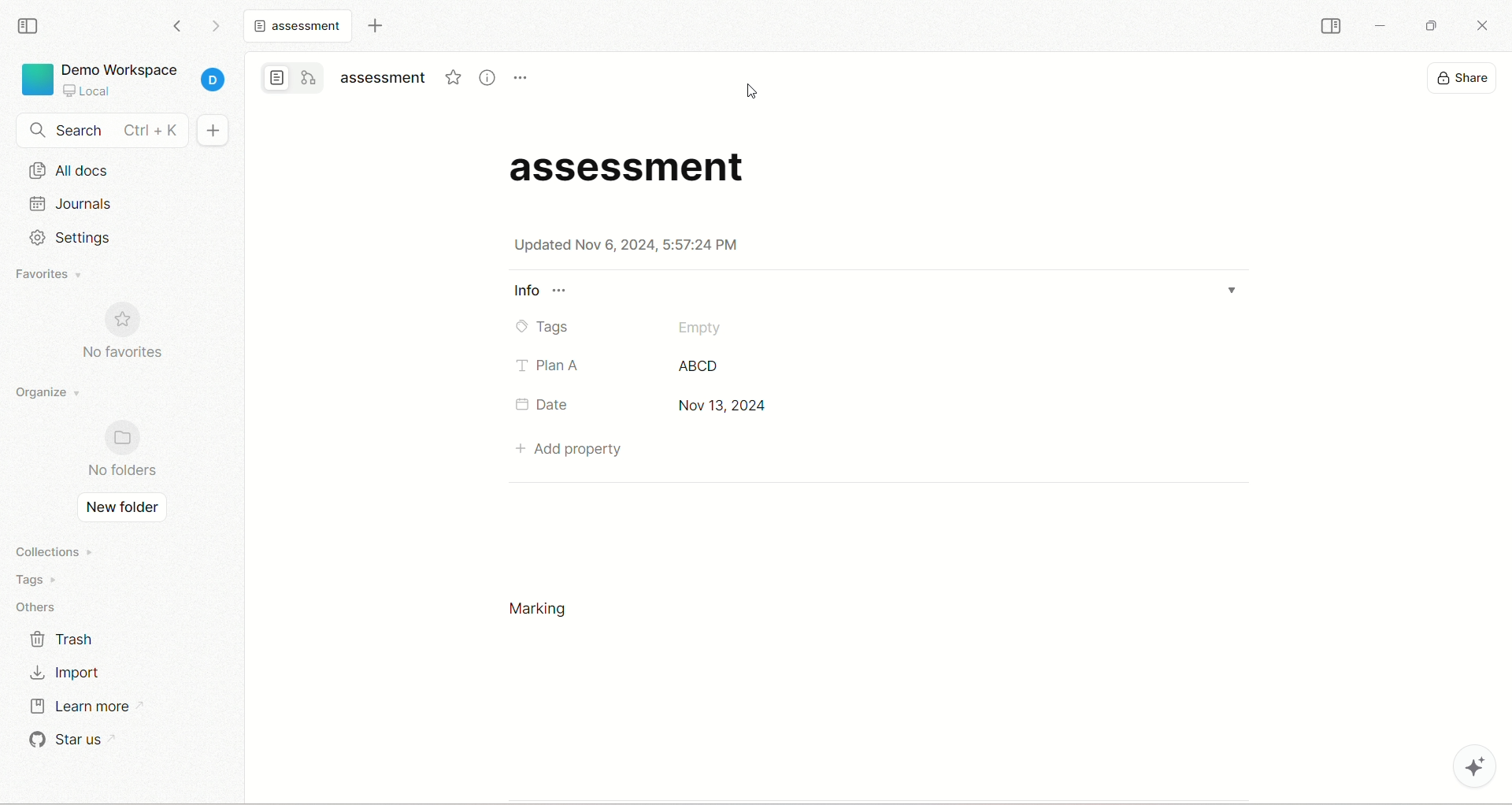 Image resolution: width=1512 pixels, height=805 pixels. What do you see at coordinates (702, 329) in the screenshot?
I see `Empty` at bounding box center [702, 329].